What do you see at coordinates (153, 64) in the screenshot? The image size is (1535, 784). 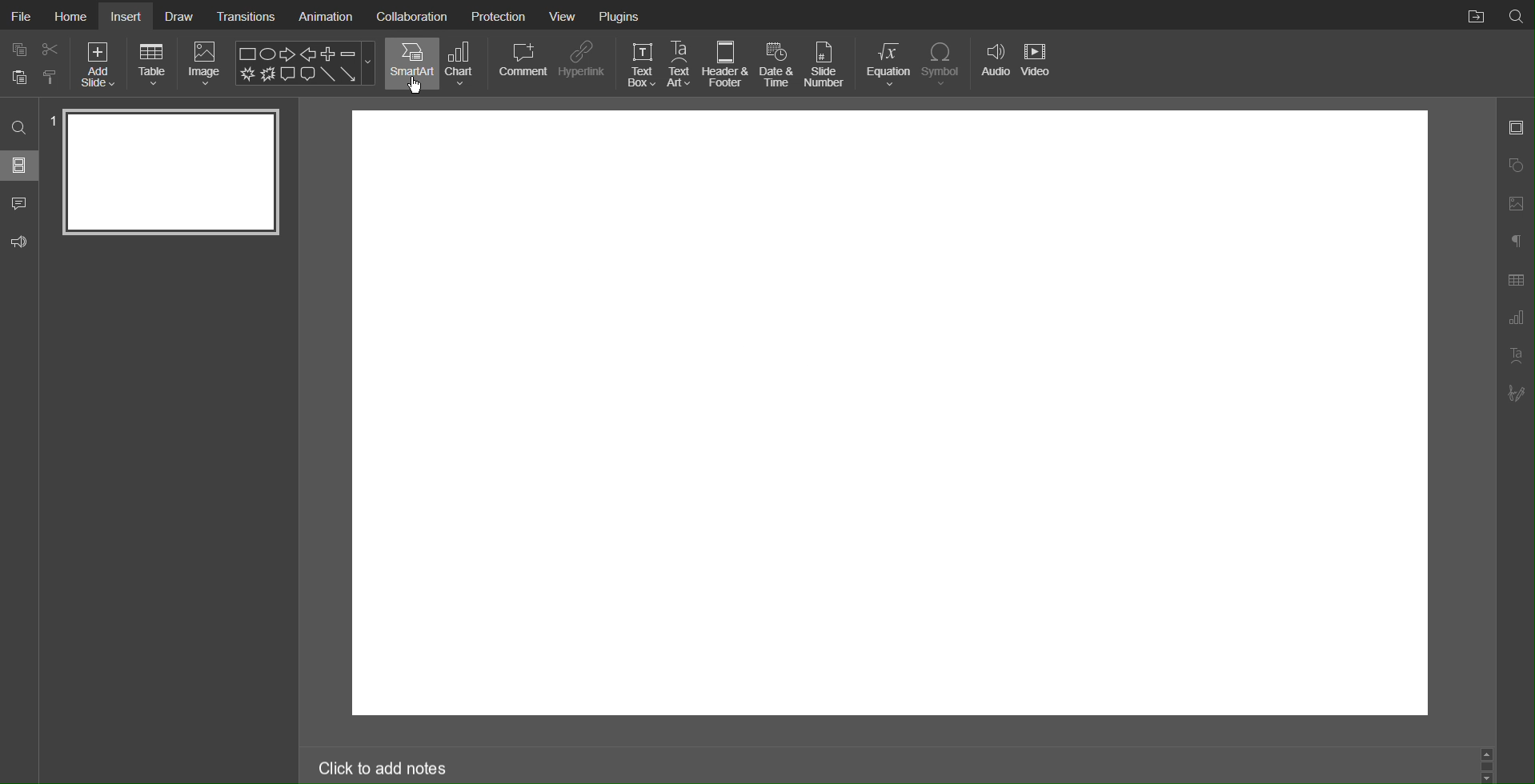 I see `Table` at bounding box center [153, 64].